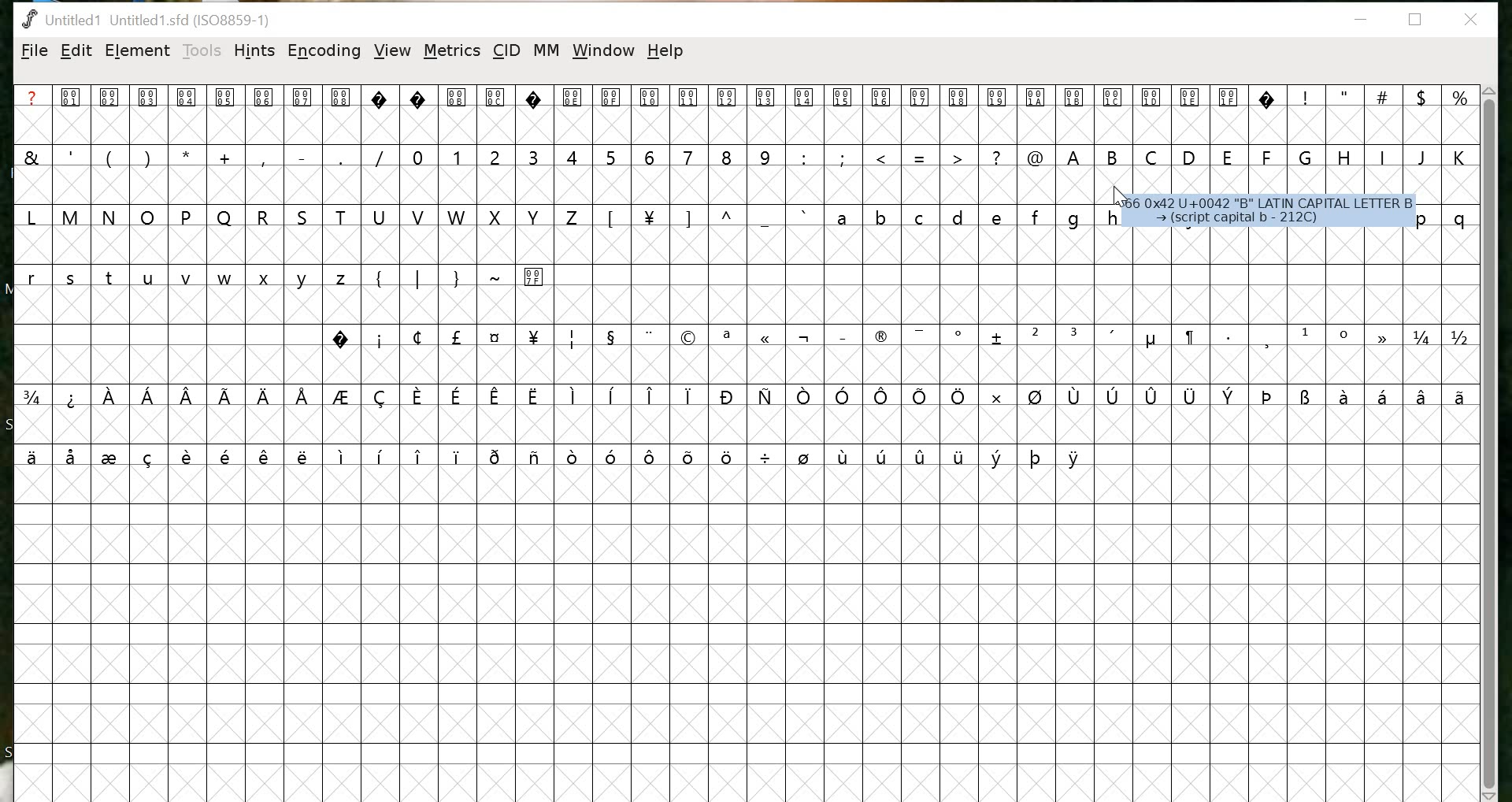 The height and width of the screenshot is (802, 1512). Describe the element at coordinates (1117, 196) in the screenshot. I see `cursor position at glyph B slot` at that location.